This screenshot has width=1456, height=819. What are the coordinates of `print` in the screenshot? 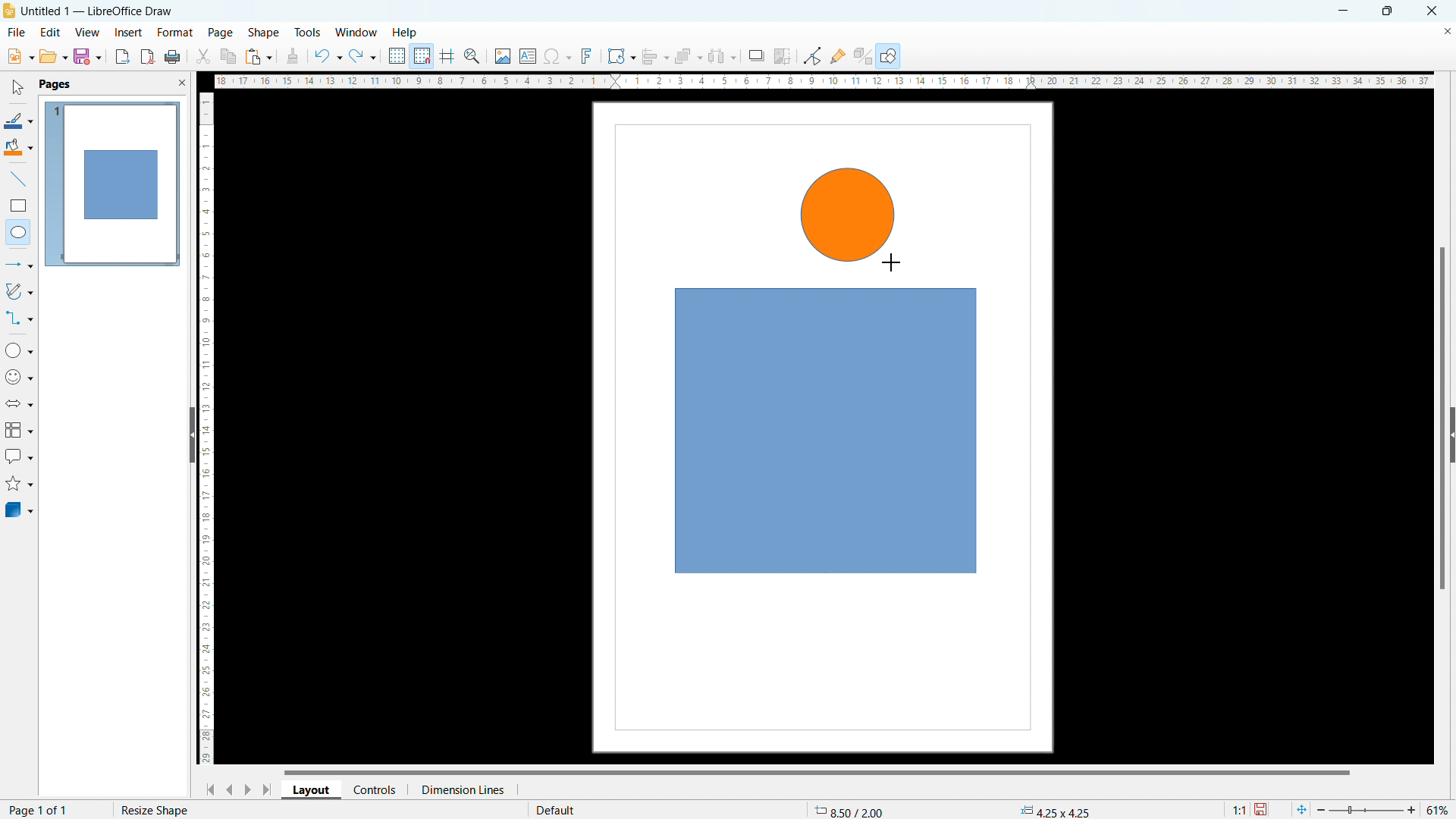 It's located at (171, 58).